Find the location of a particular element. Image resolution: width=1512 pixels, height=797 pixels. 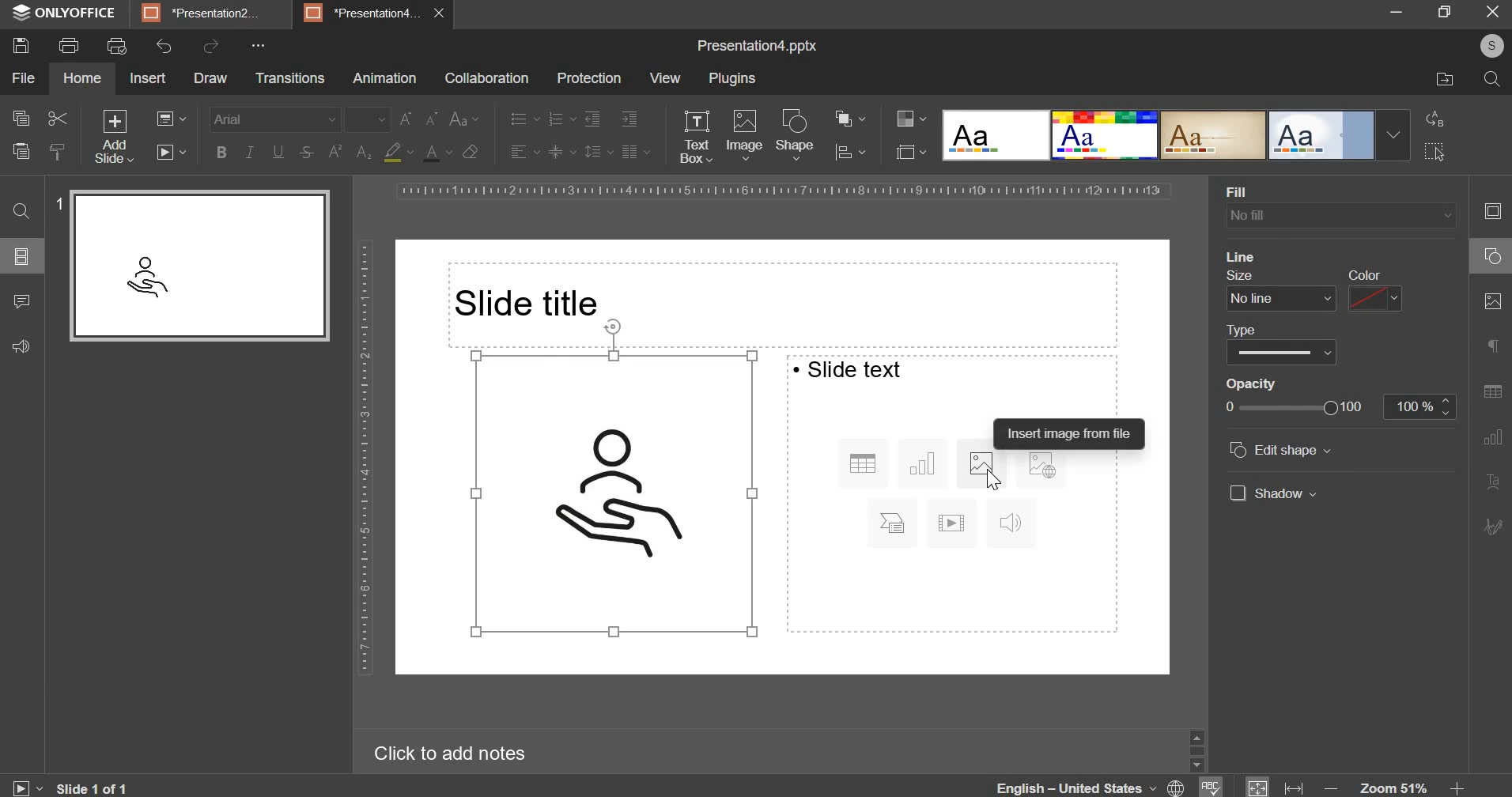

horizontal alignment is located at coordinates (524, 152).